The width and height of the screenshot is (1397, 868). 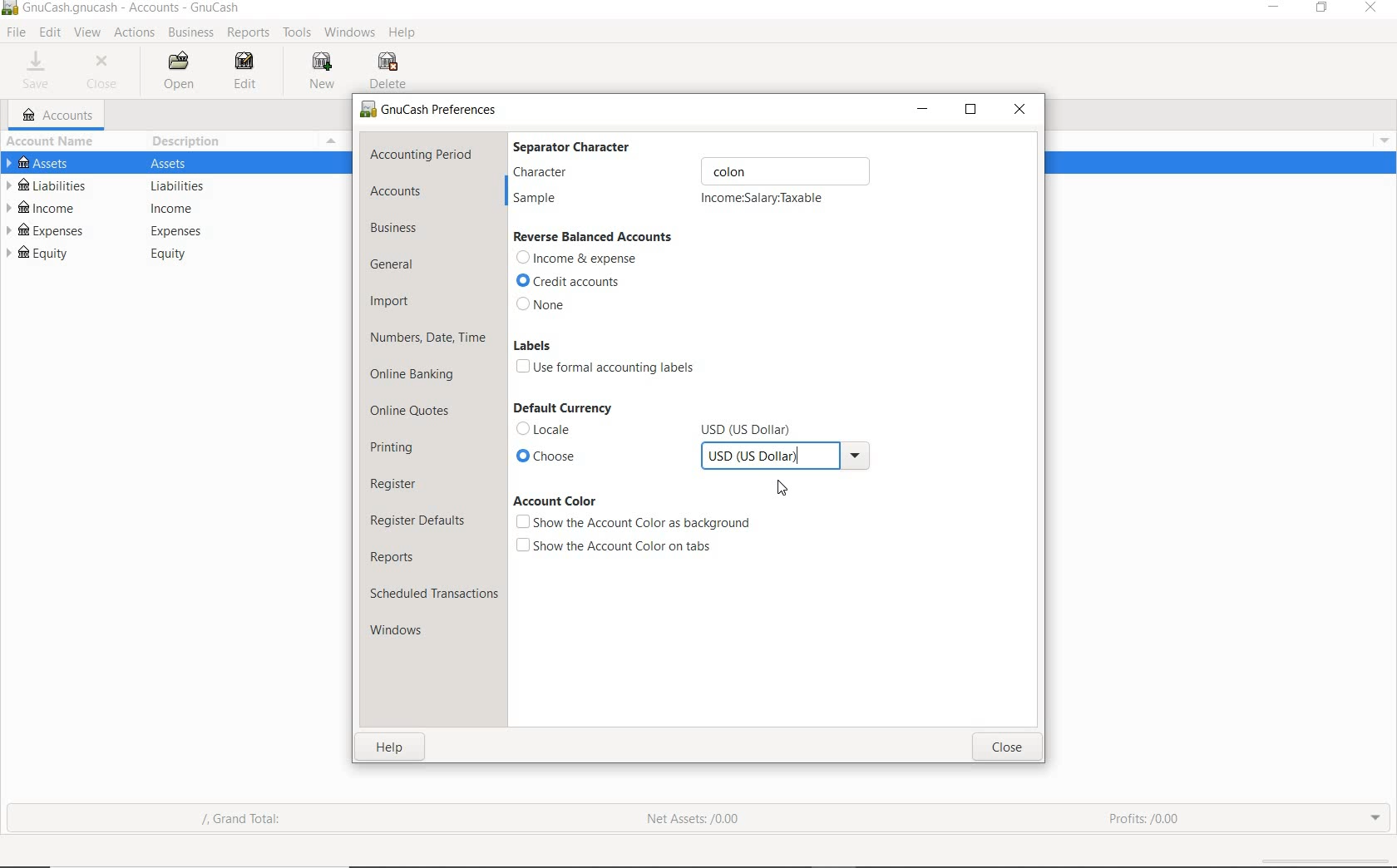 I want to click on close, so click(x=1007, y=747).